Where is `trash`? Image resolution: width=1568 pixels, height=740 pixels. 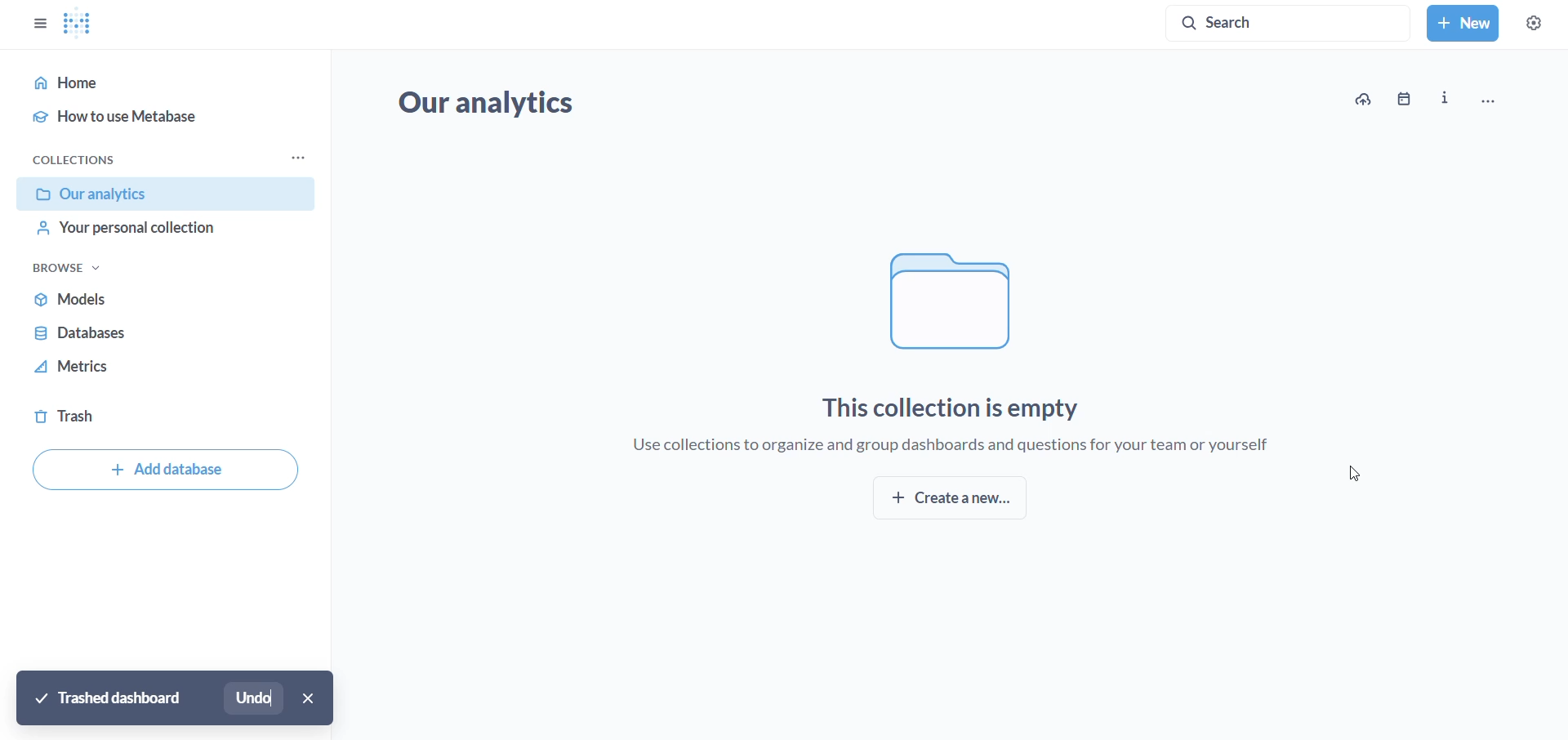
trash is located at coordinates (129, 413).